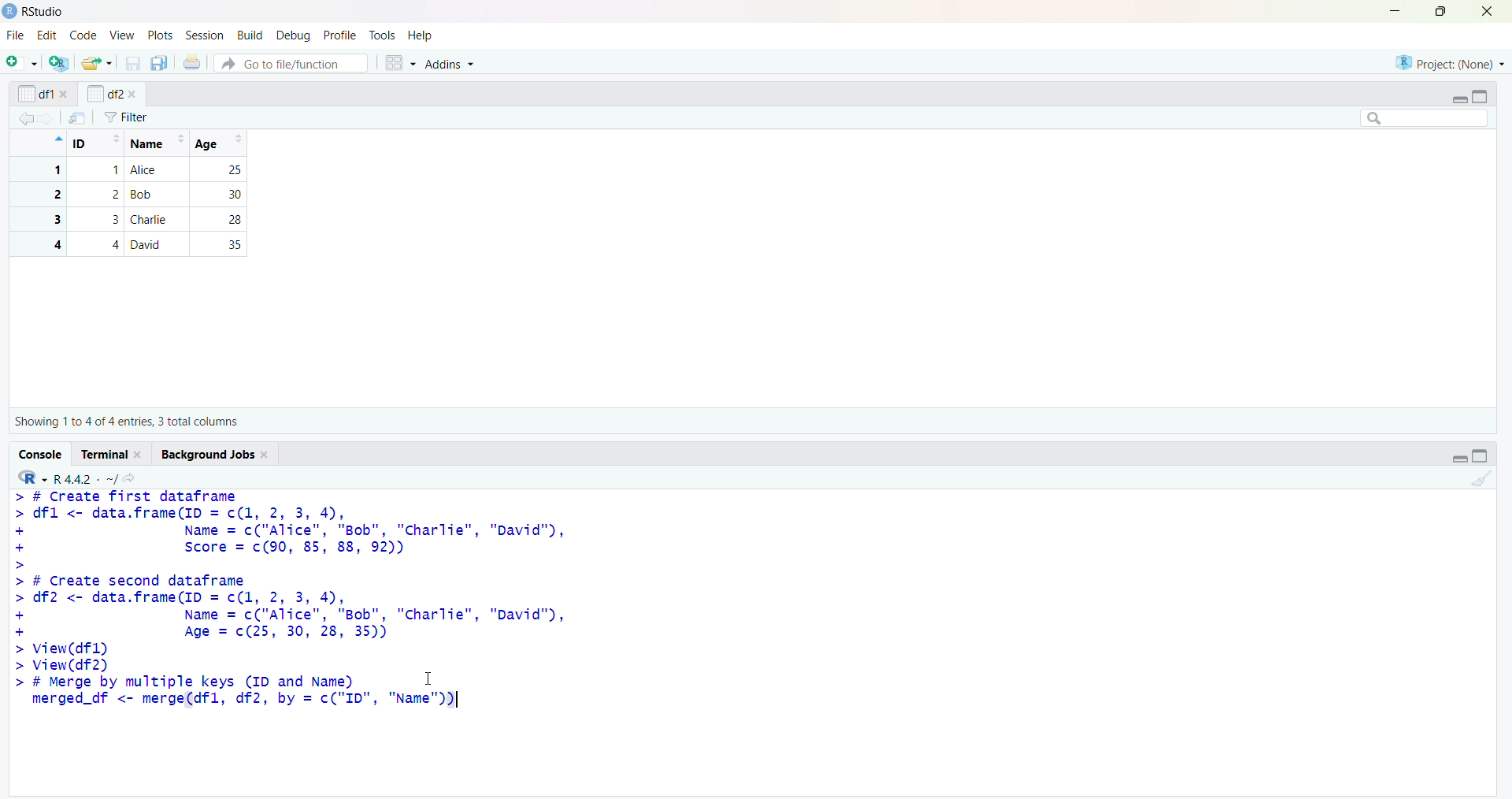 The height and width of the screenshot is (799, 1512). I want to click on cursor, so click(429, 678).